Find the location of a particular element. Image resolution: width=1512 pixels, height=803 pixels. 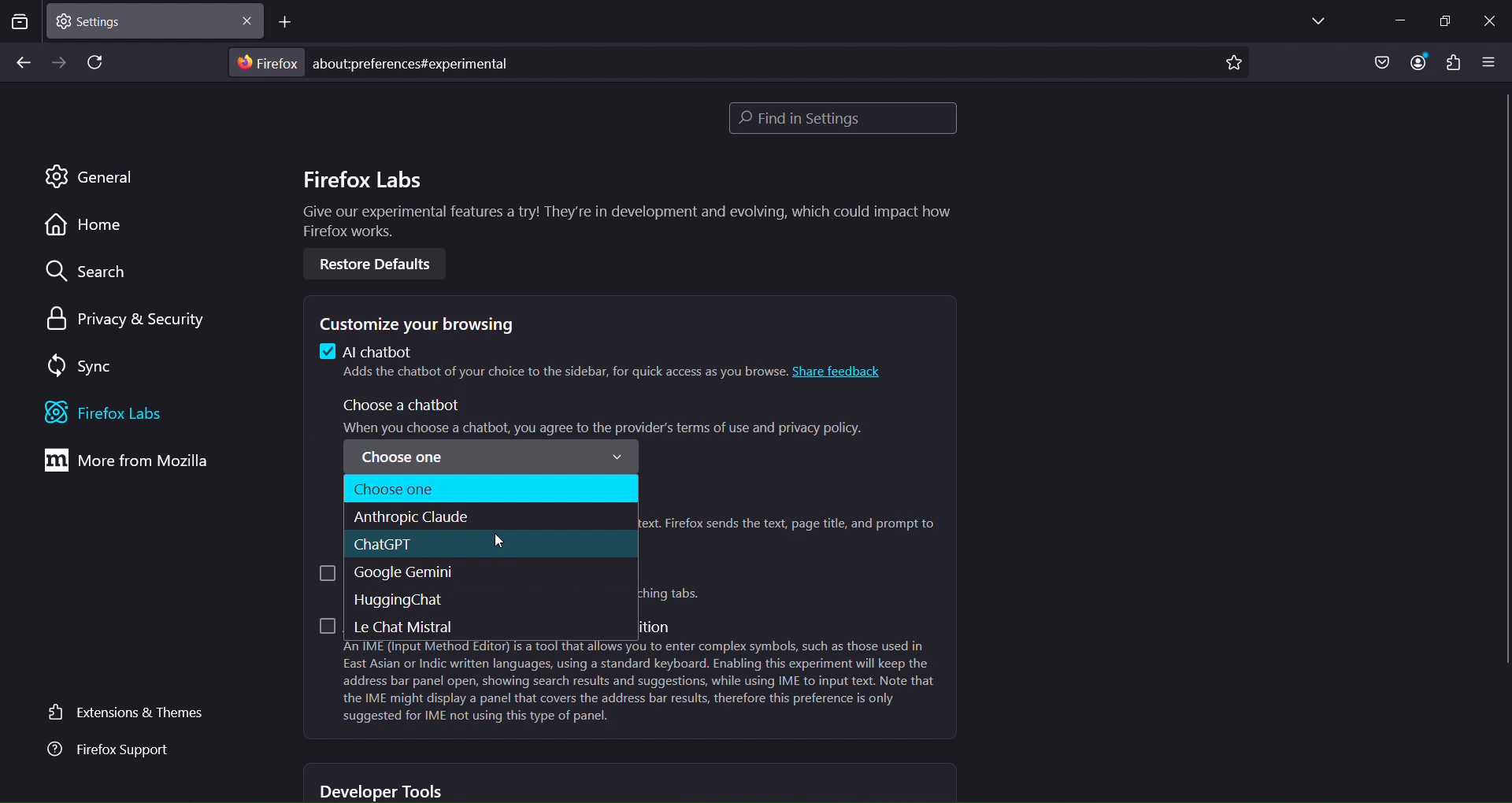

restore down is located at coordinates (1443, 22).